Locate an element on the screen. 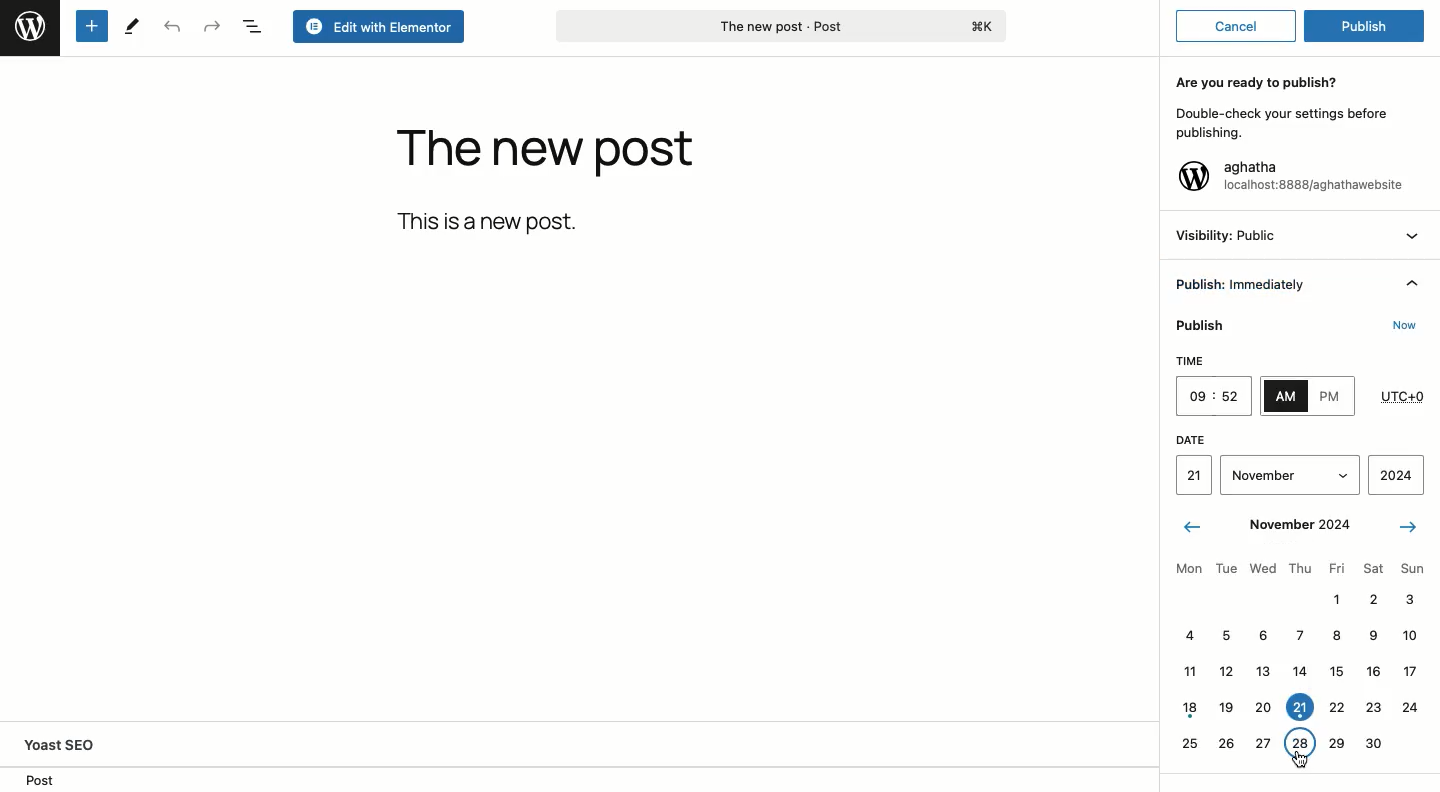 The height and width of the screenshot is (792, 1440). UTC is located at coordinates (1402, 397).